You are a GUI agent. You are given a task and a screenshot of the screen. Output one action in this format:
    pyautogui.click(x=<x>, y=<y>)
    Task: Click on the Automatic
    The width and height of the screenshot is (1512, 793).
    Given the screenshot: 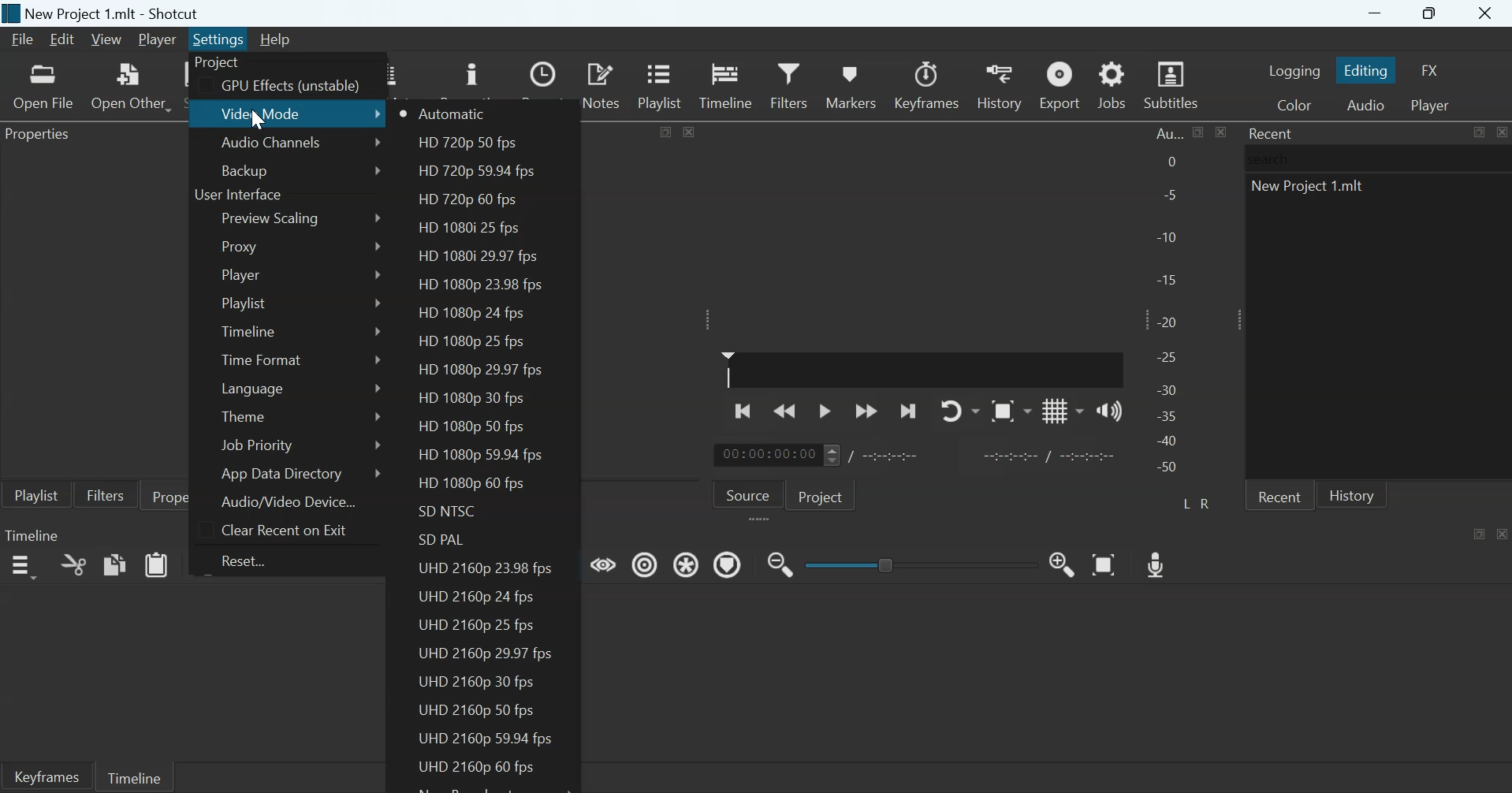 What is the action you would take?
    pyautogui.click(x=454, y=114)
    